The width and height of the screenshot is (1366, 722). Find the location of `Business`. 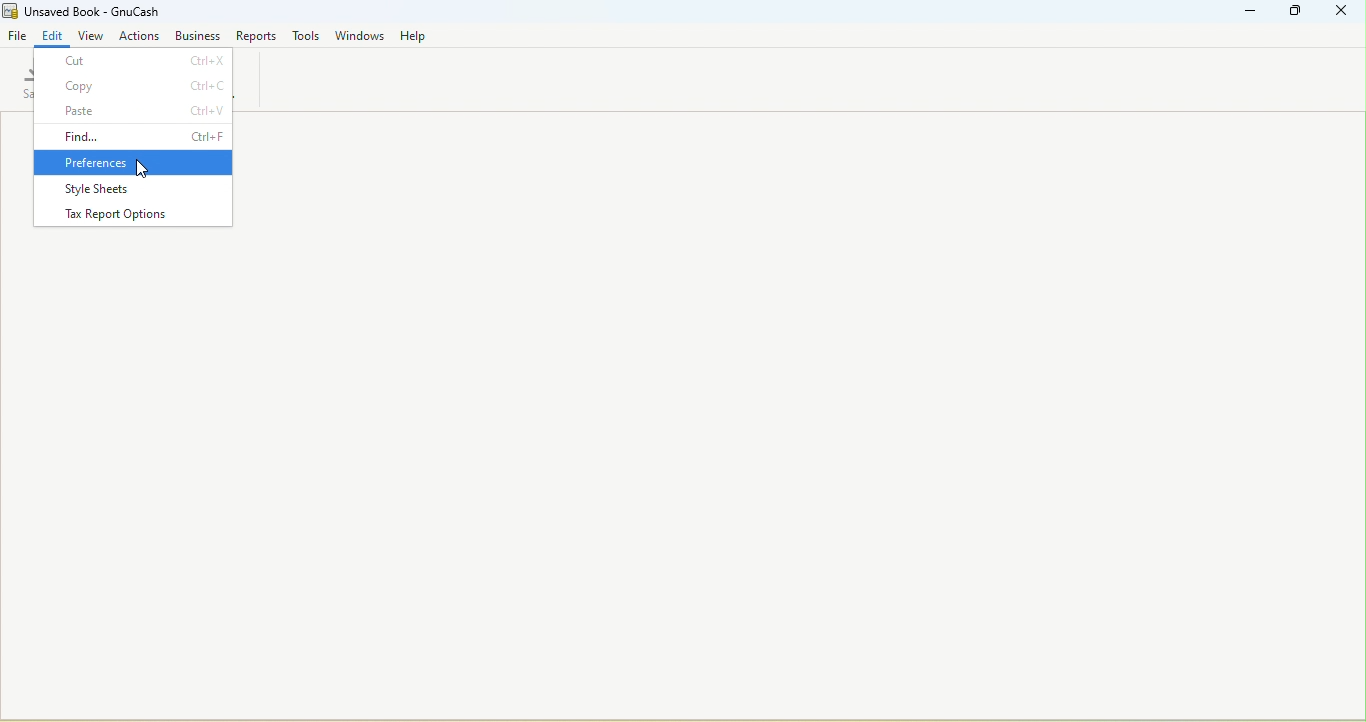

Business is located at coordinates (200, 36).